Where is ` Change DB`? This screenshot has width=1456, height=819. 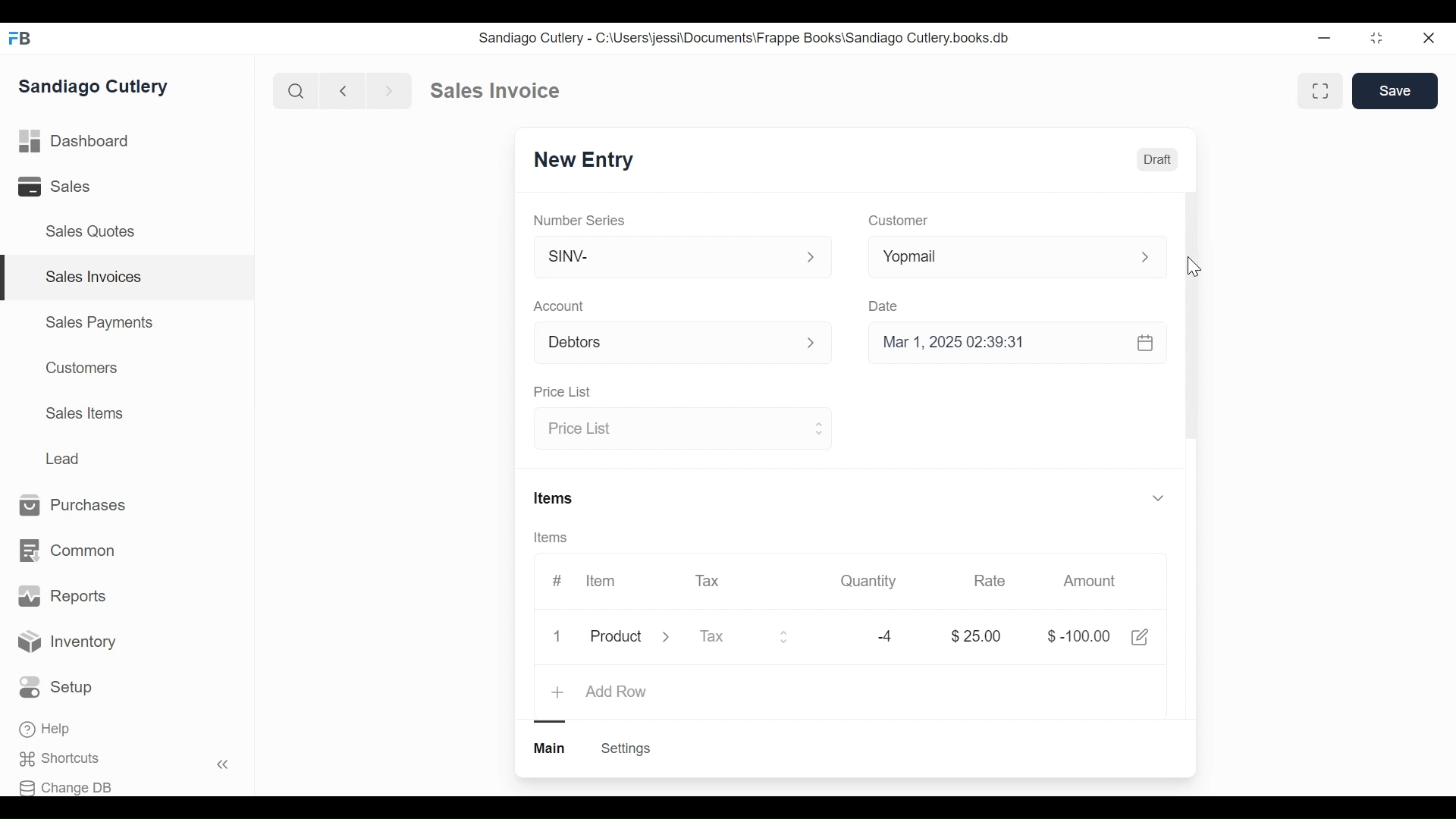  Change DB is located at coordinates (67, 787).